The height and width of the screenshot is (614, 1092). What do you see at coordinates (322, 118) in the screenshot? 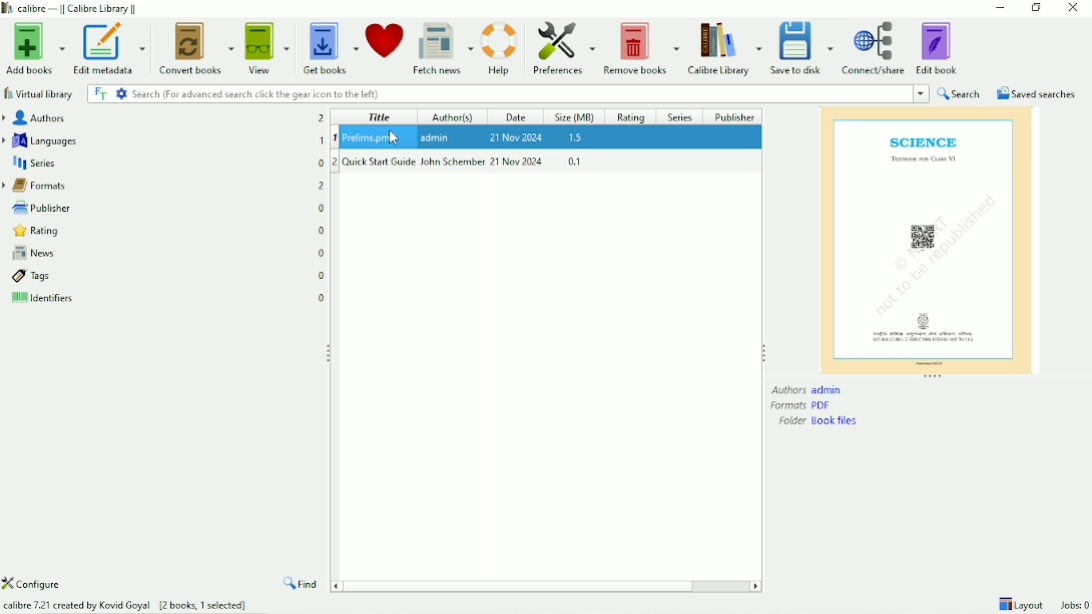
I see `2` at bounding box center [322, 118].